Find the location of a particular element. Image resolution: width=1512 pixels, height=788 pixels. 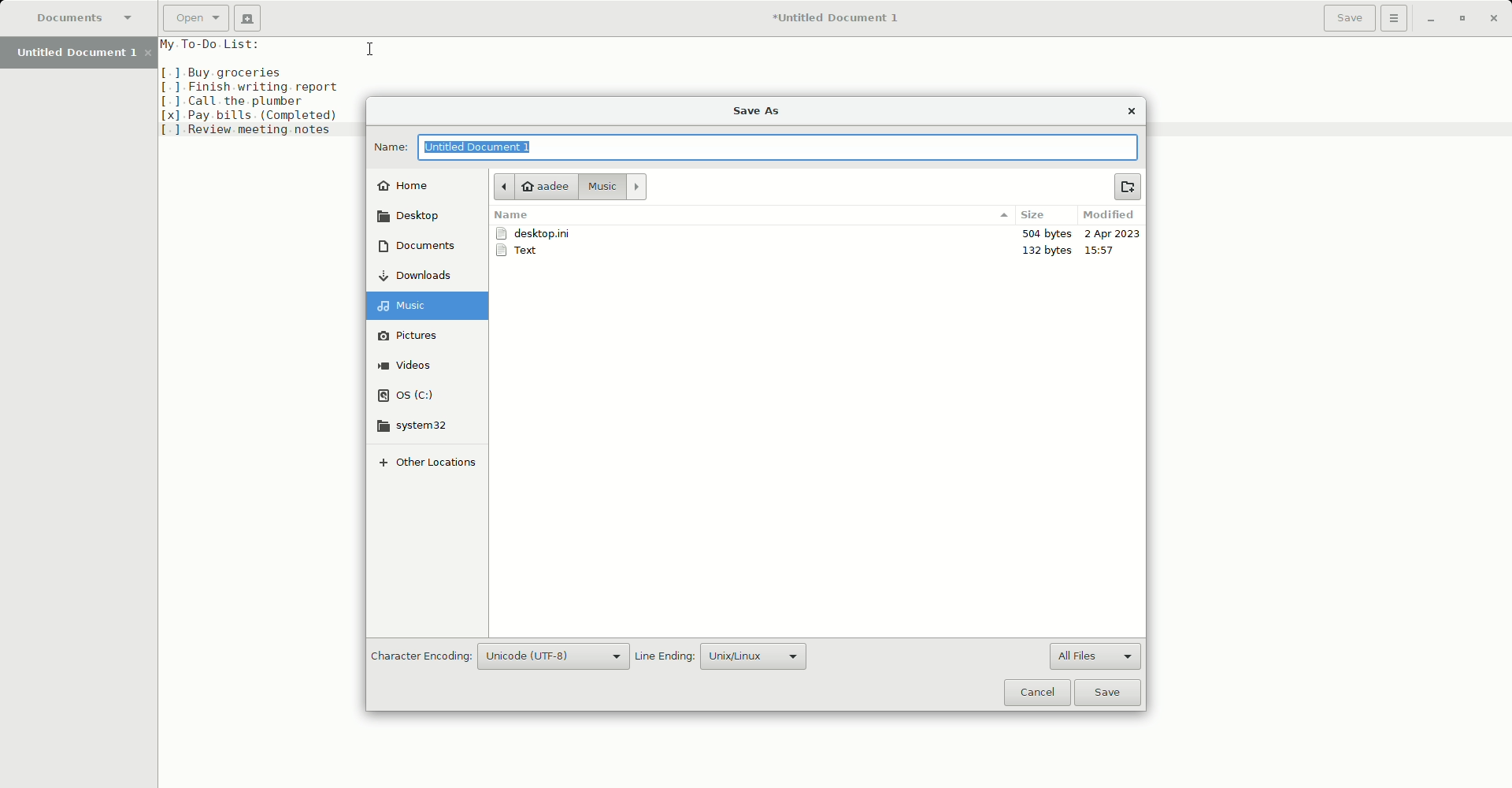

Pictures is located at coordinates (419, 335).